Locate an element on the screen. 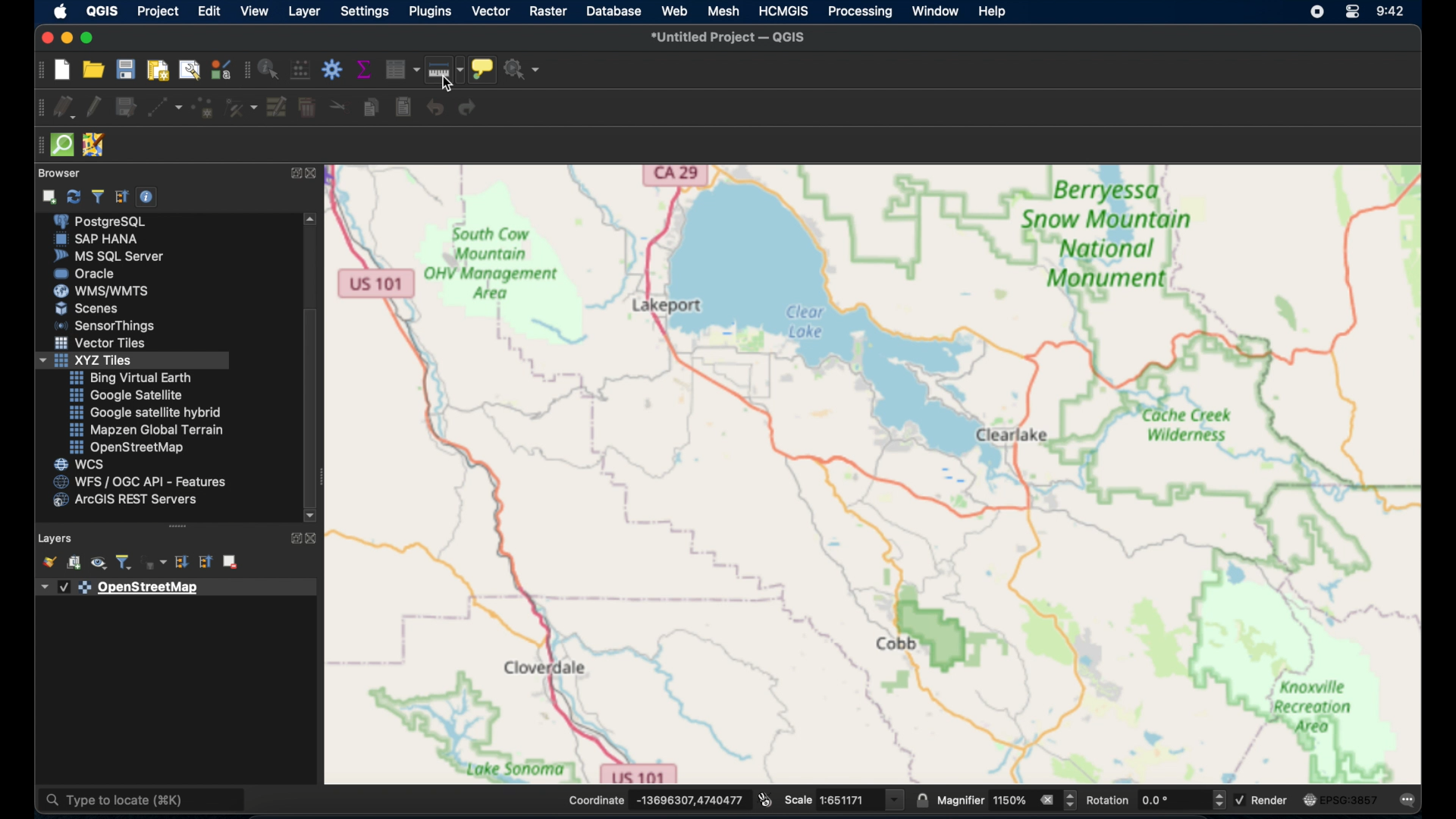  current layer edits is located at coordinates (62, 108).